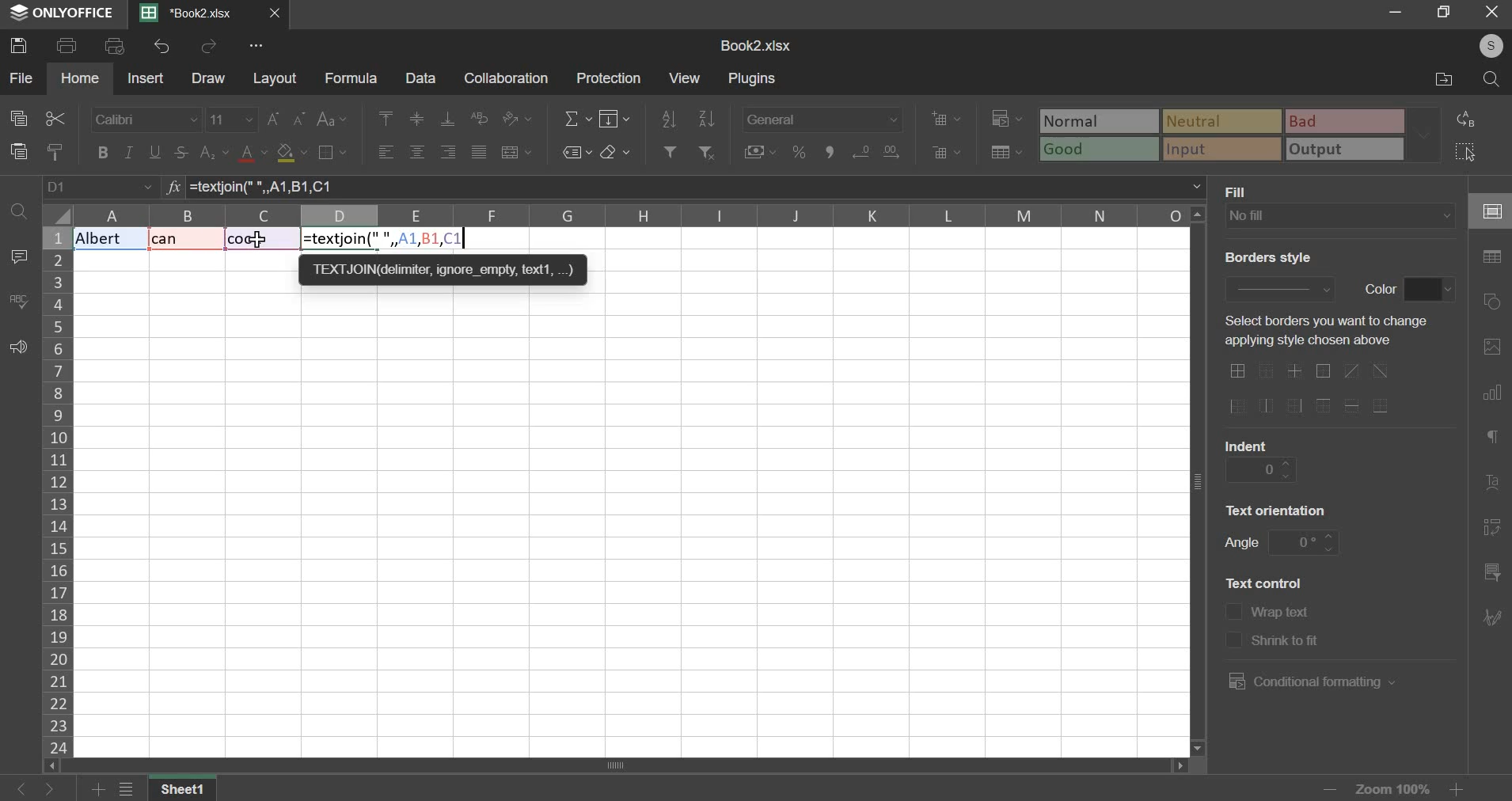 The height and width of the screenshot is (801, 1512). I want to click on collaboration, so click(507, 79).